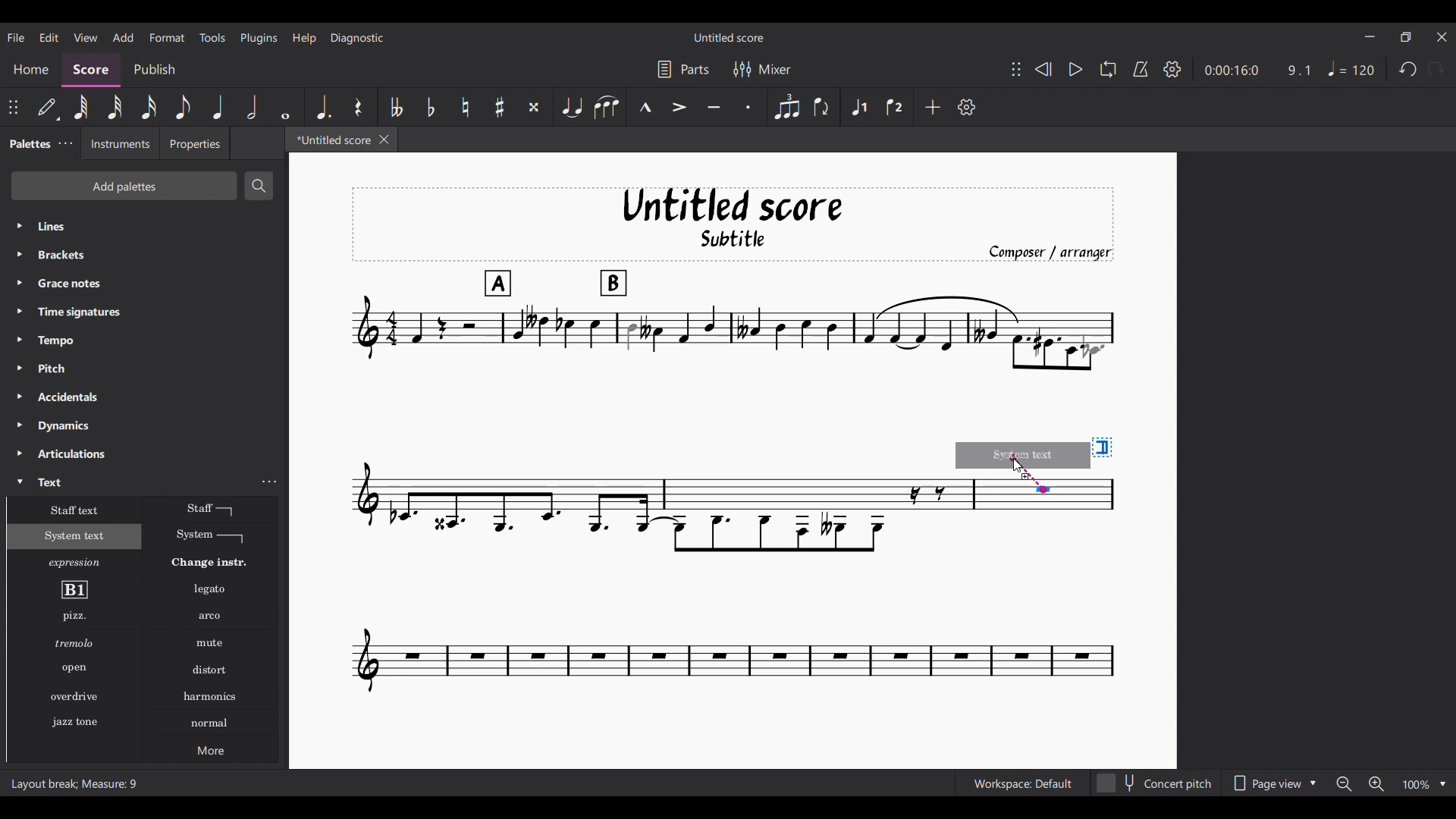  Describe the element at coordinates (195, 143) in the screenshot. I see `Properties` at that location.